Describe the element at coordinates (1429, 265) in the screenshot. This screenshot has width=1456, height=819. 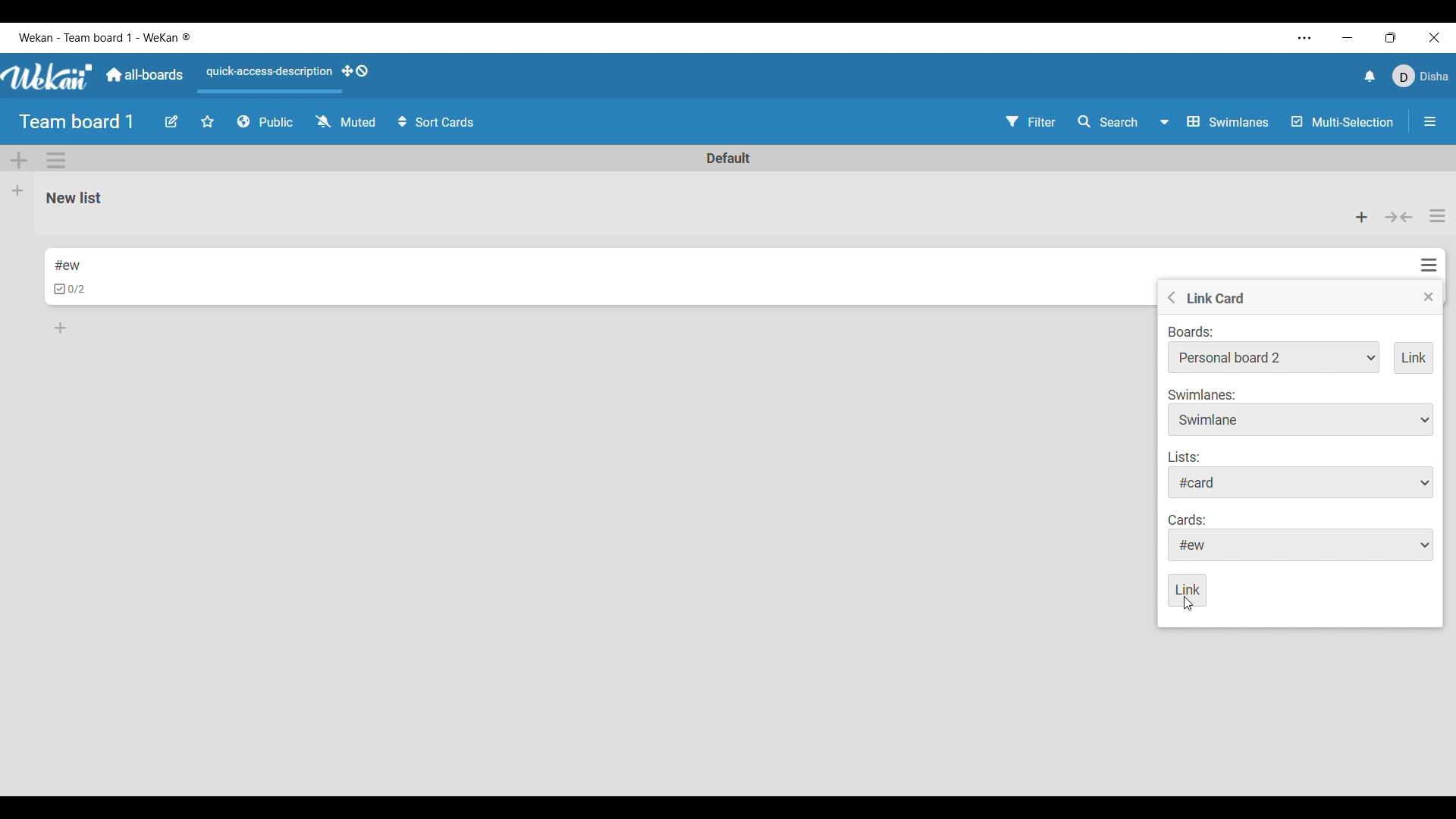
I see `Card actions` at that location.